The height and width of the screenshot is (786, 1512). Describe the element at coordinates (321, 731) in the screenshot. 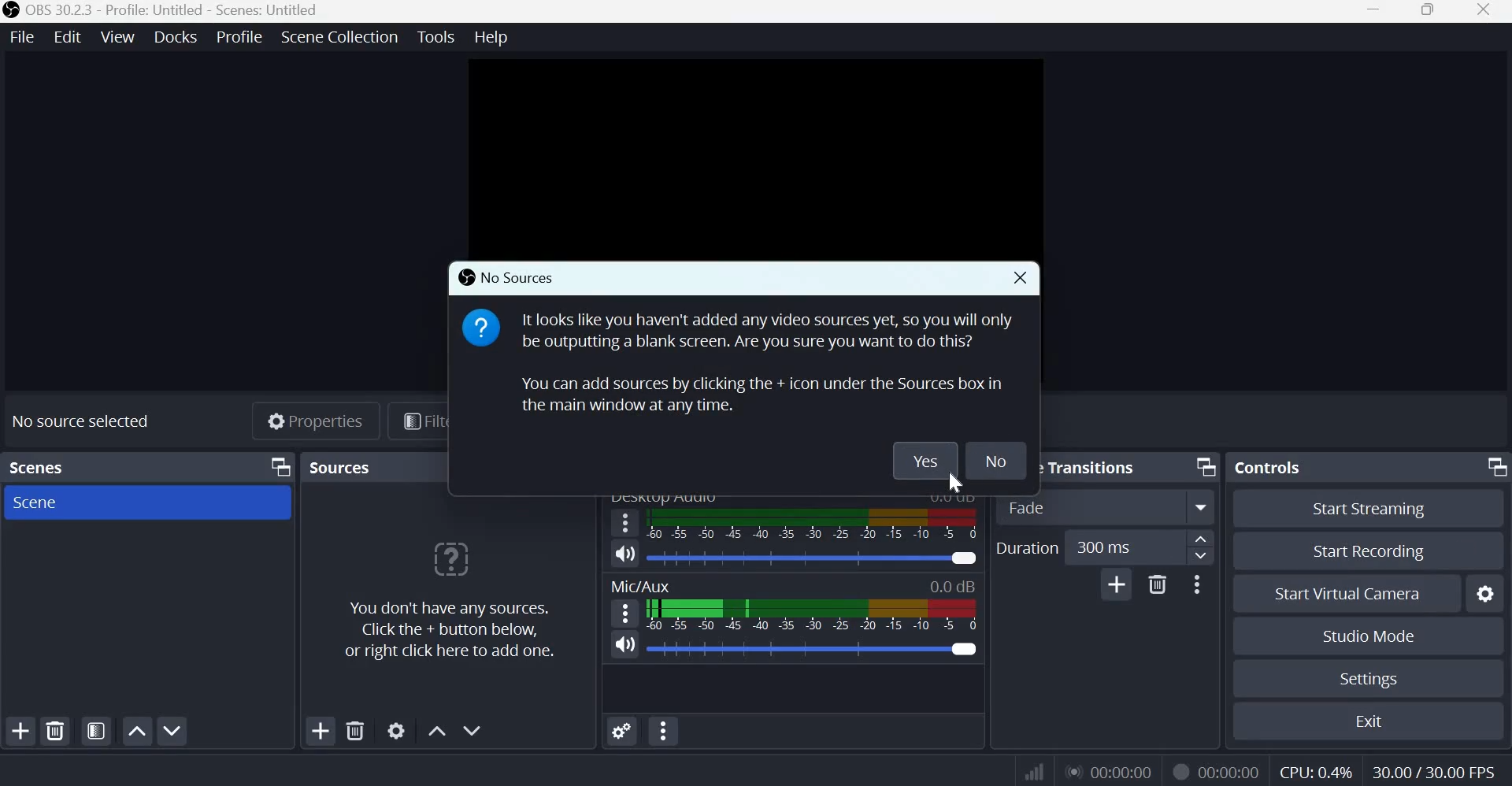

I see `Add source` at that location.